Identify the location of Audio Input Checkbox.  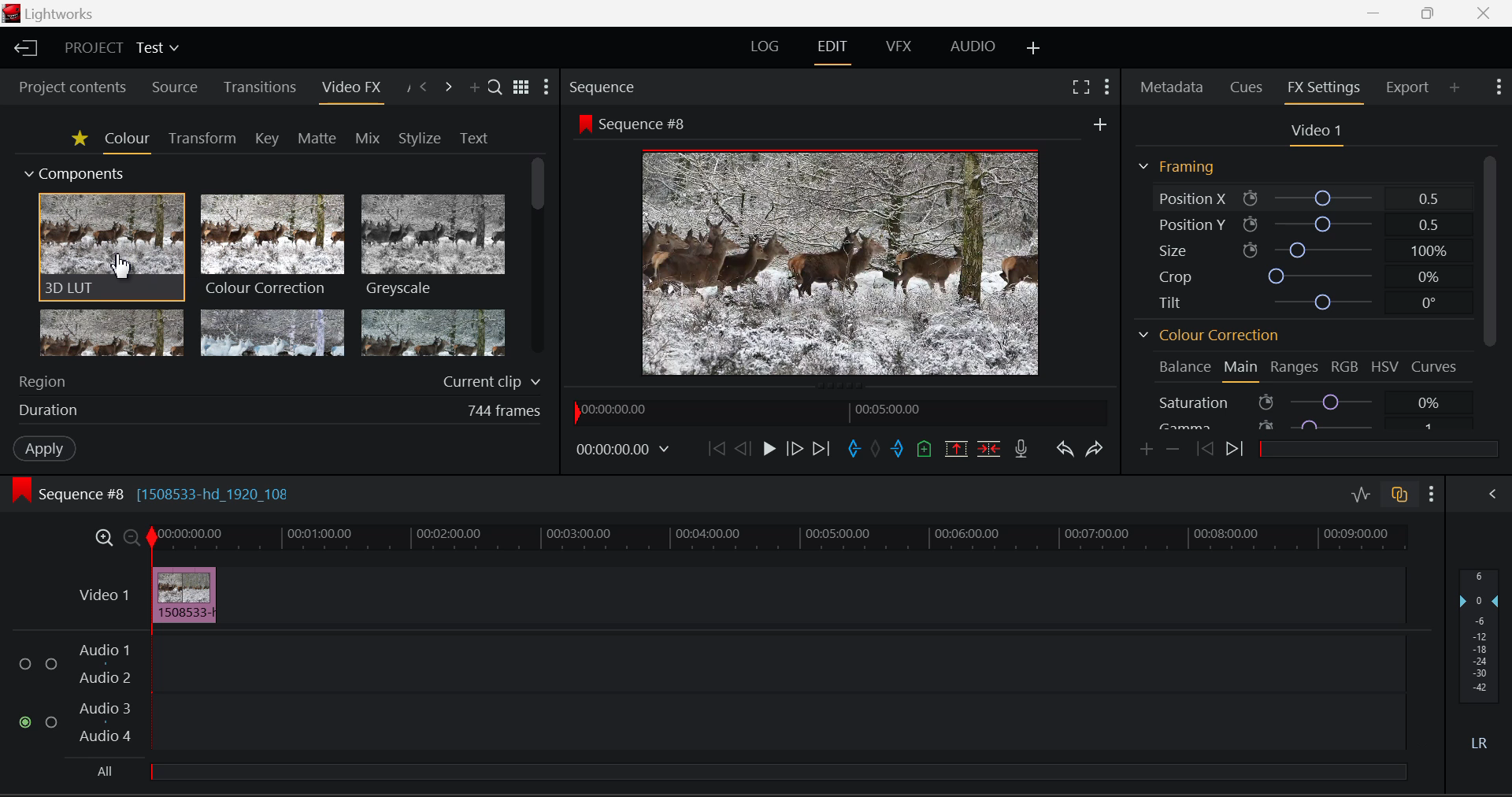
(24, 721).